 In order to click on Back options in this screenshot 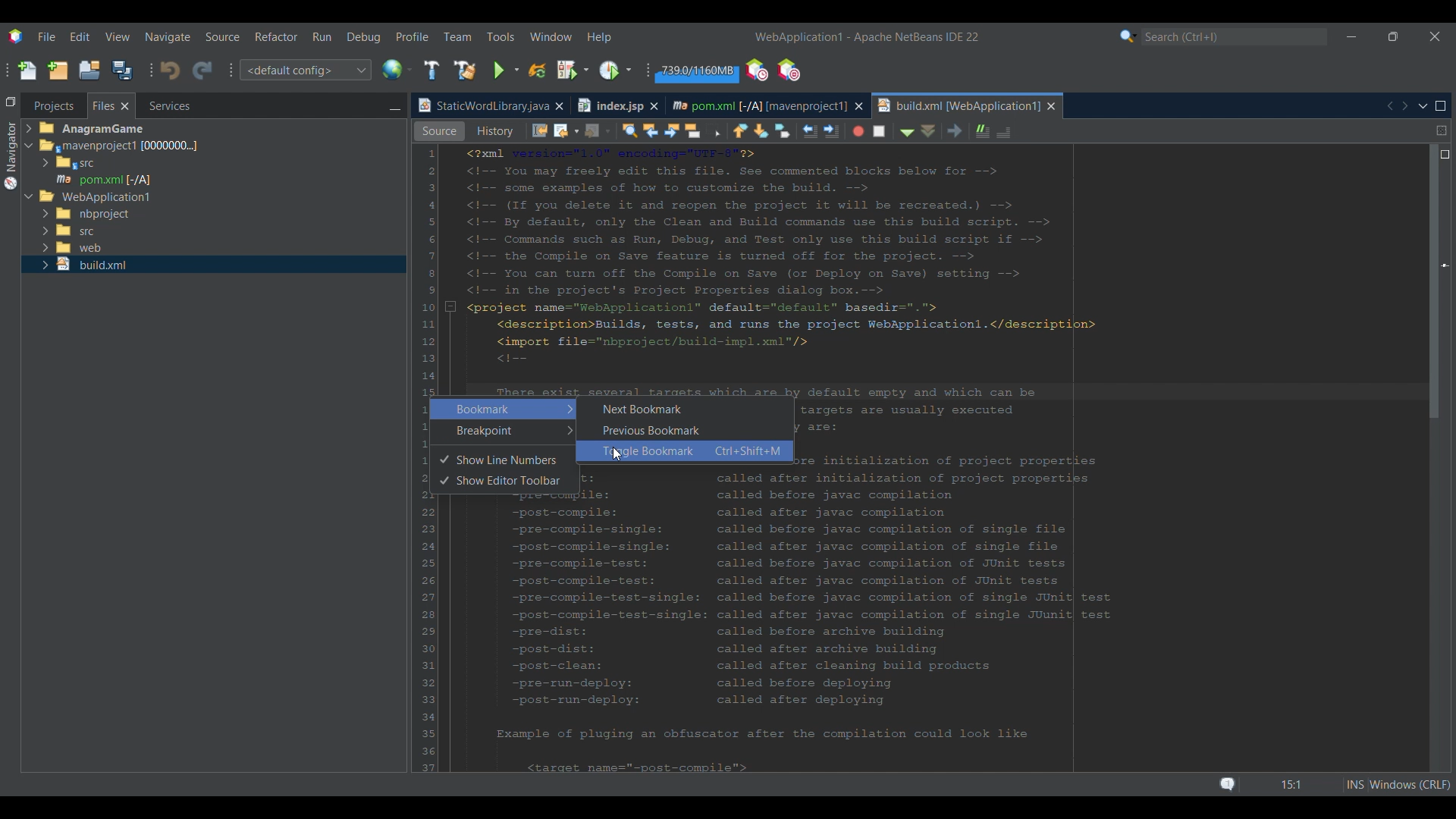, I will do `click(699, 130)`.